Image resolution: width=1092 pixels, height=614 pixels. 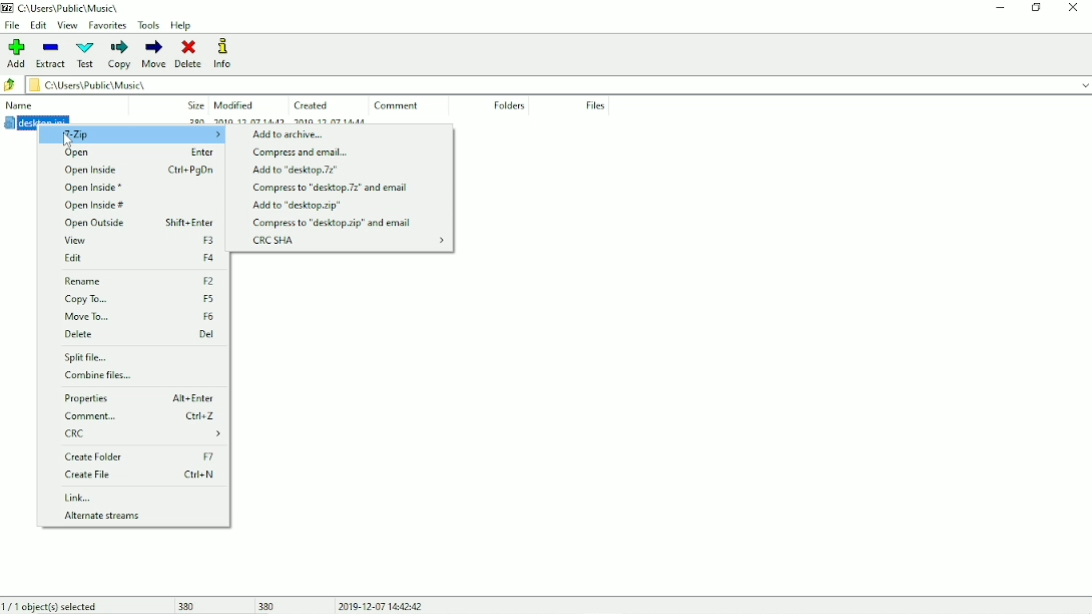 What do you see at coordinates (137, 170) in the screenshot?
I see `Open Inside` at bounding box center [137, 170].